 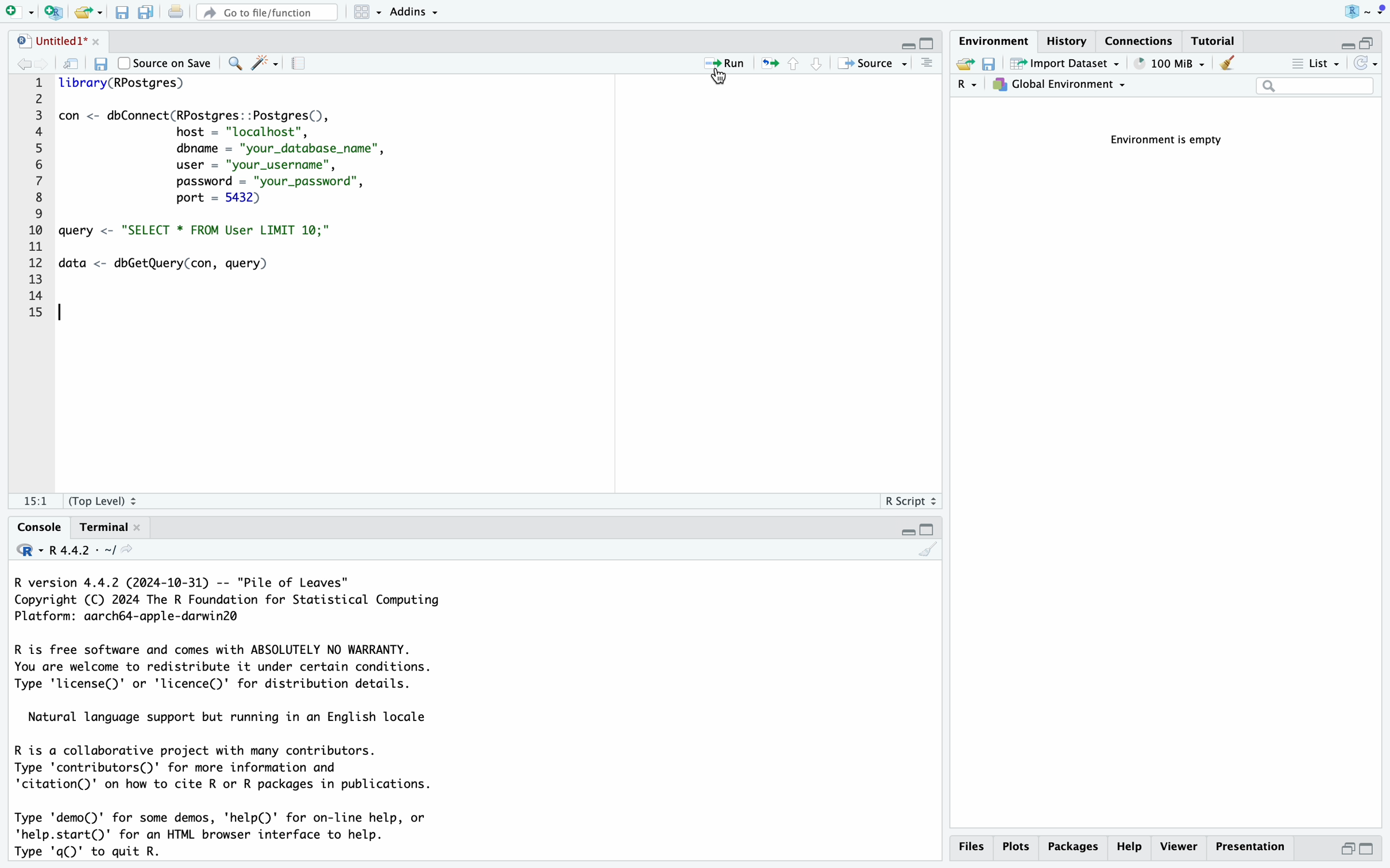 What do you see at coordinates (1216, 40) in the screenshot?
I see `tutorial` at bounding box center [1216, 40].